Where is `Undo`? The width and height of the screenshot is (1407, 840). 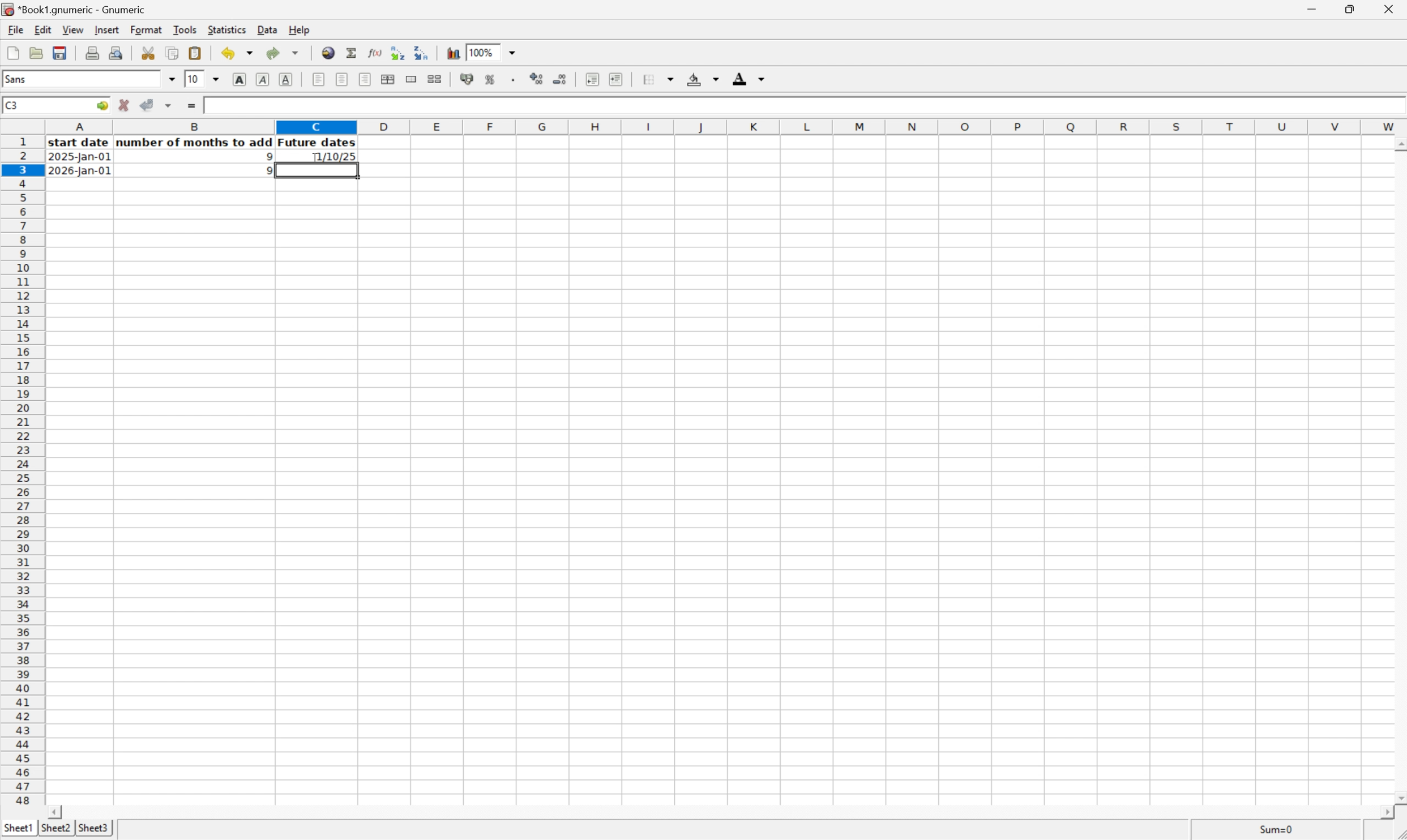
Undo is located at coordinates (236, 53).